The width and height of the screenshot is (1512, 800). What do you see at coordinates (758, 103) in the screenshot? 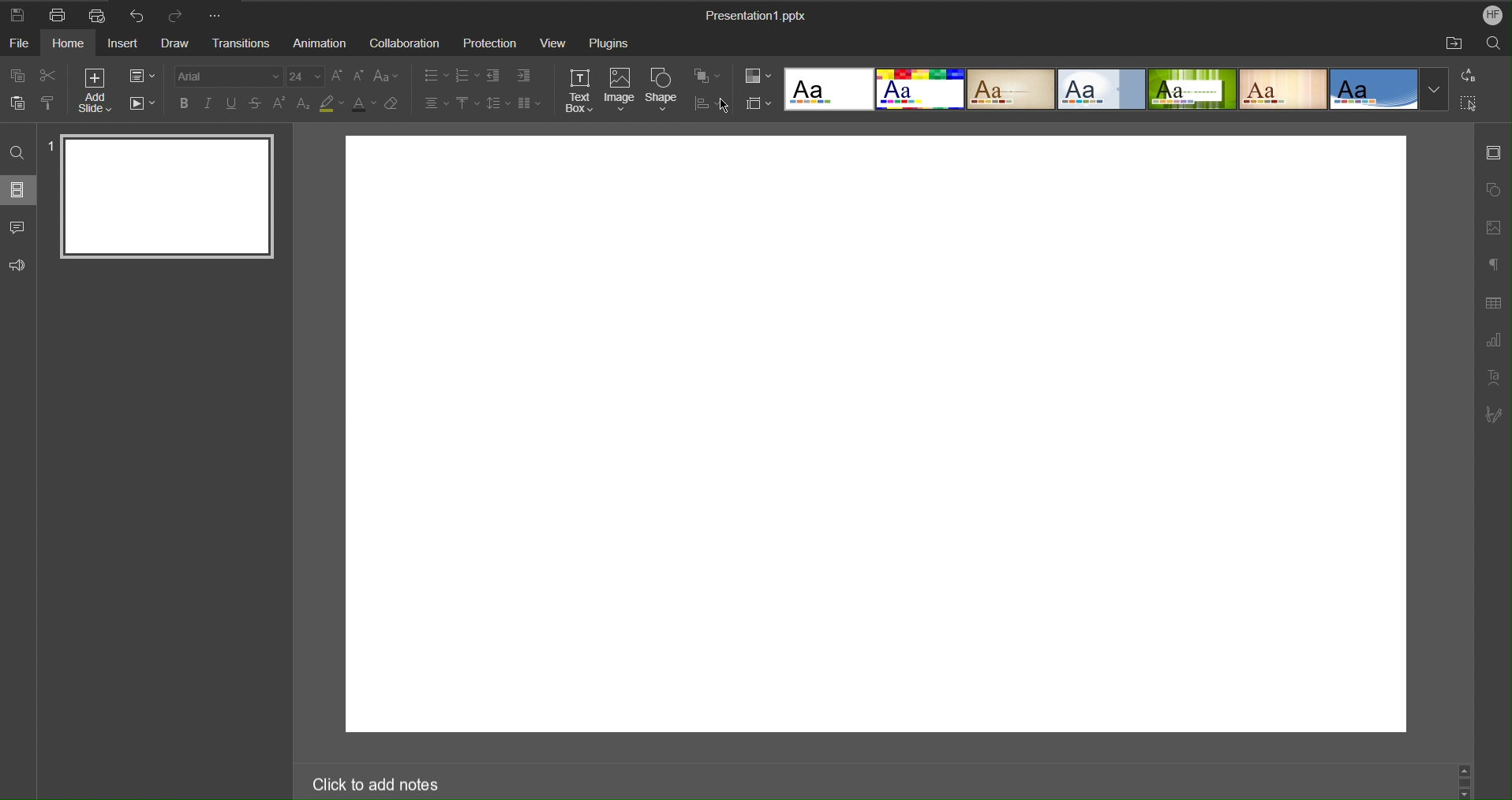
I see `Slide Size Settings` at bounding box center [758, 103].